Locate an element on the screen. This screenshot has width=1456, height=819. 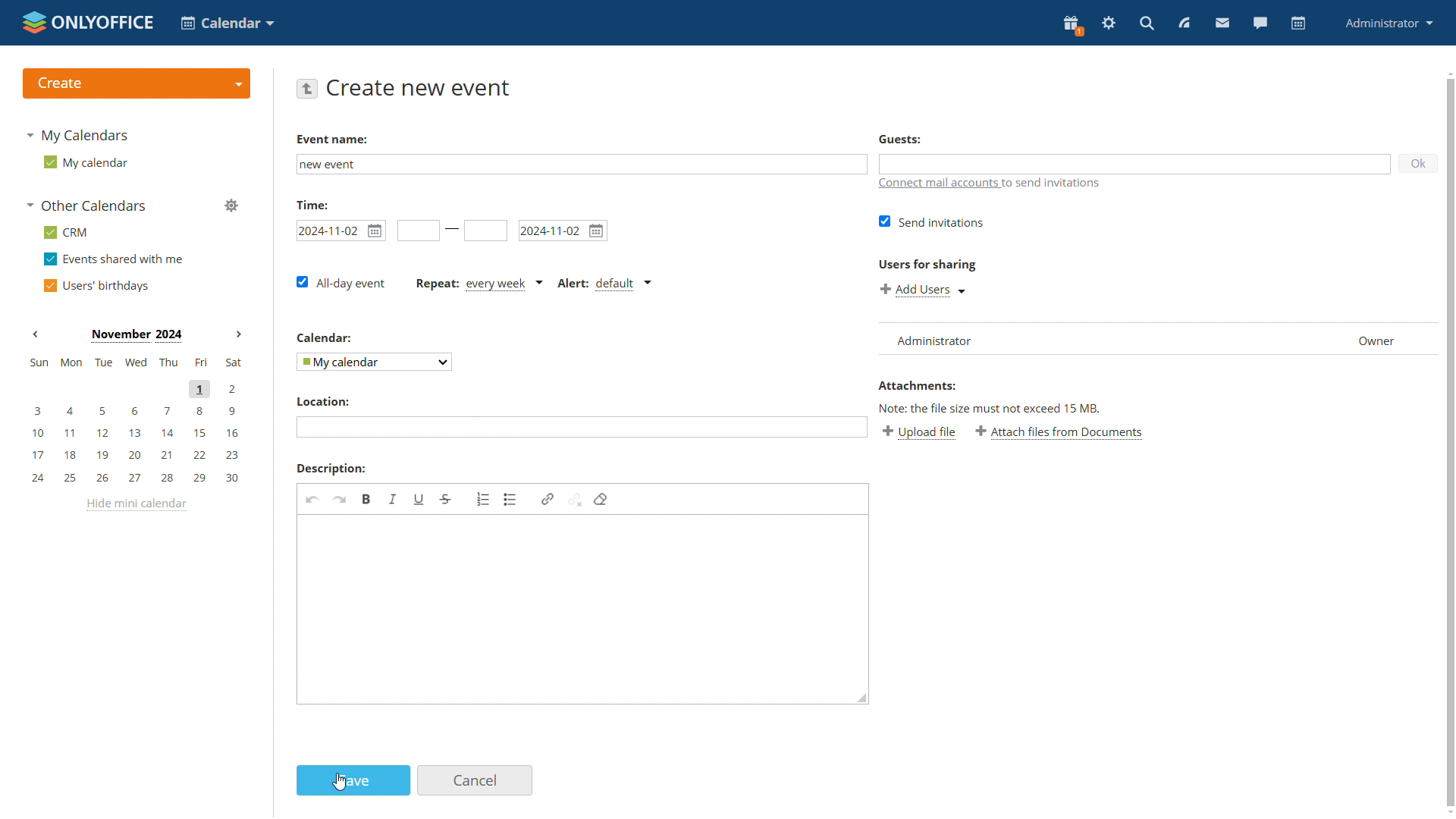
strikethrough is located at coordinates (446, 499).